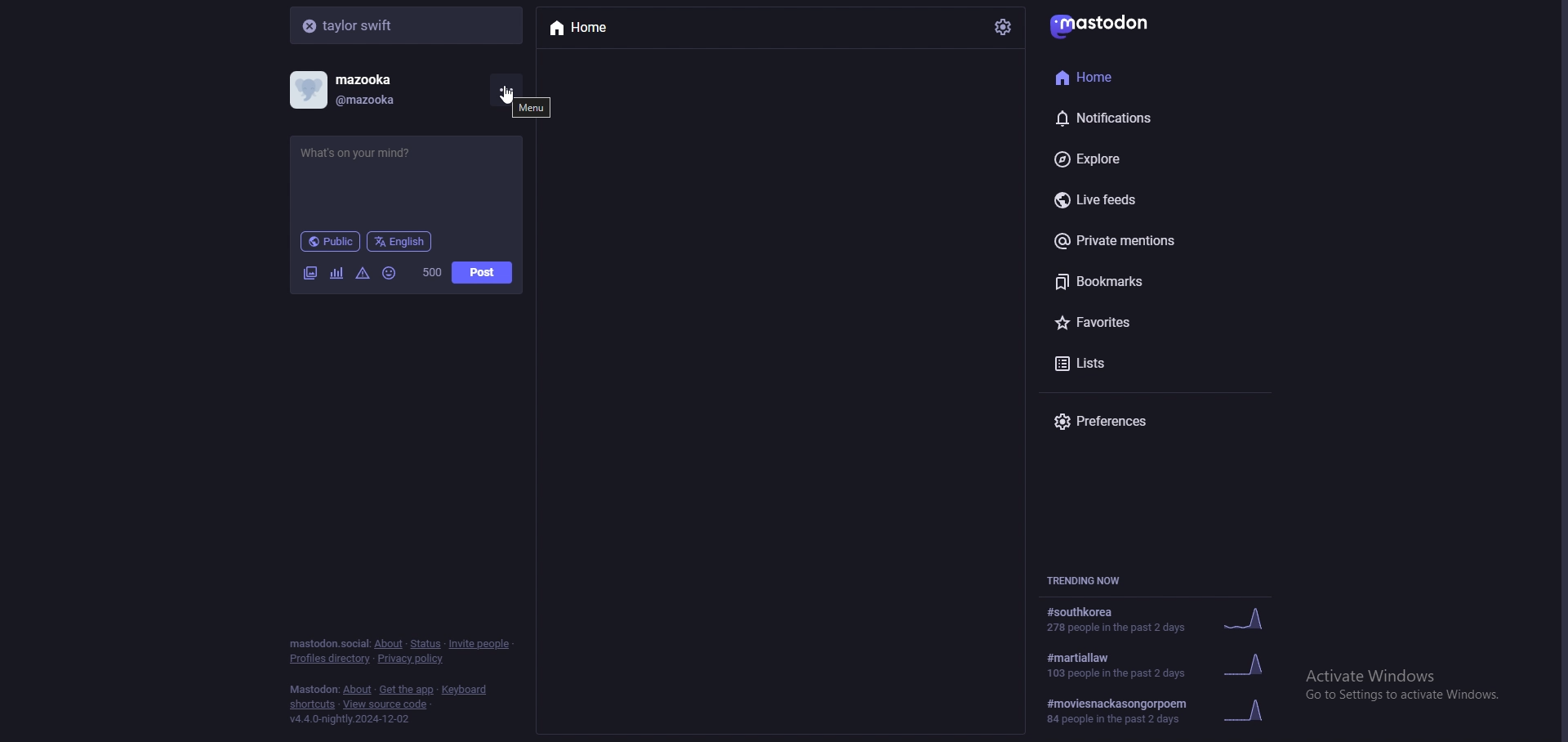  I want to click on emojis, so click(390, 273).